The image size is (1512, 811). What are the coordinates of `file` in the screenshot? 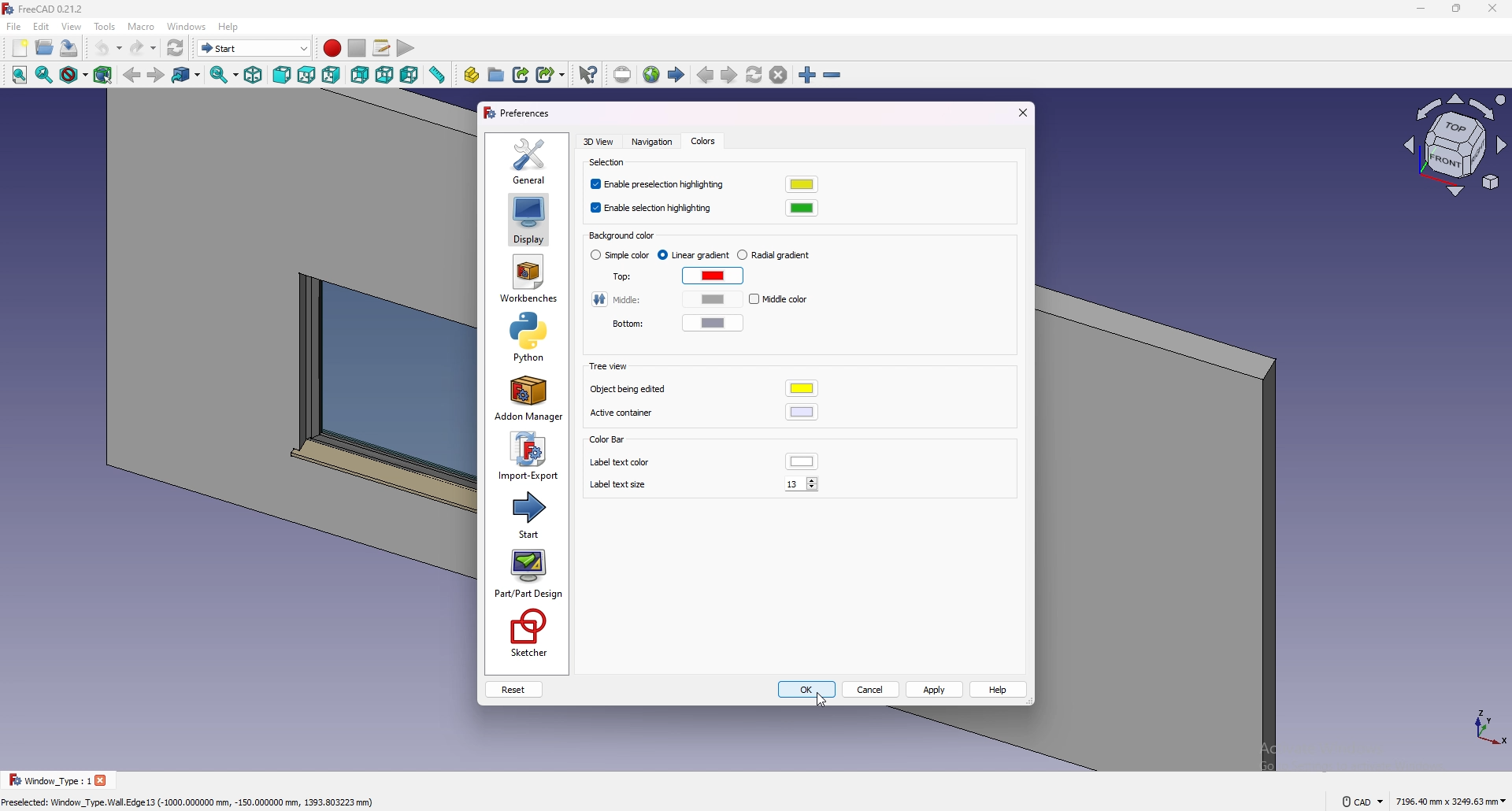 It's located at (14, 27).